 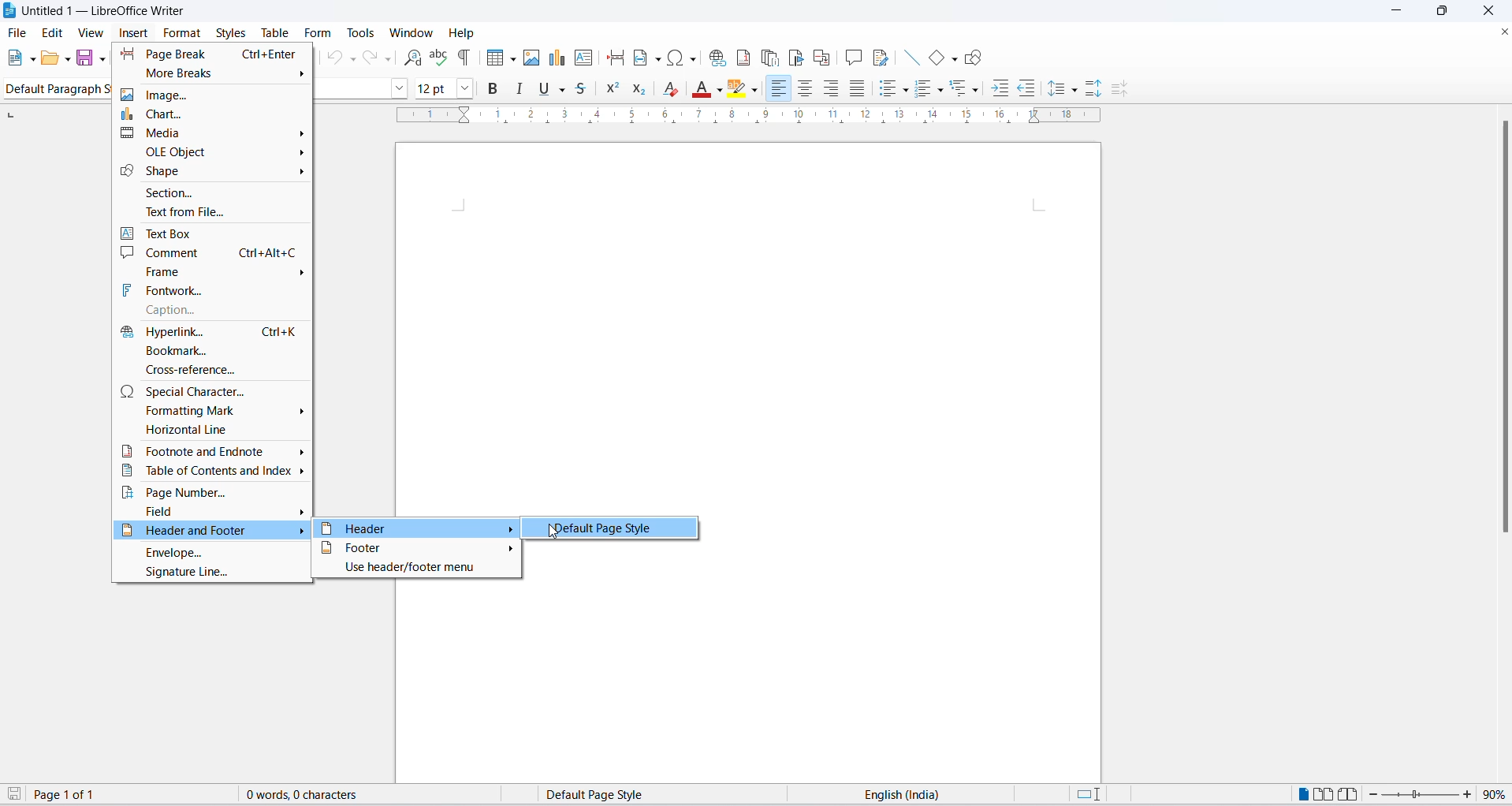 I want to click on toggle formatting marks, so click(x=465, y=57).